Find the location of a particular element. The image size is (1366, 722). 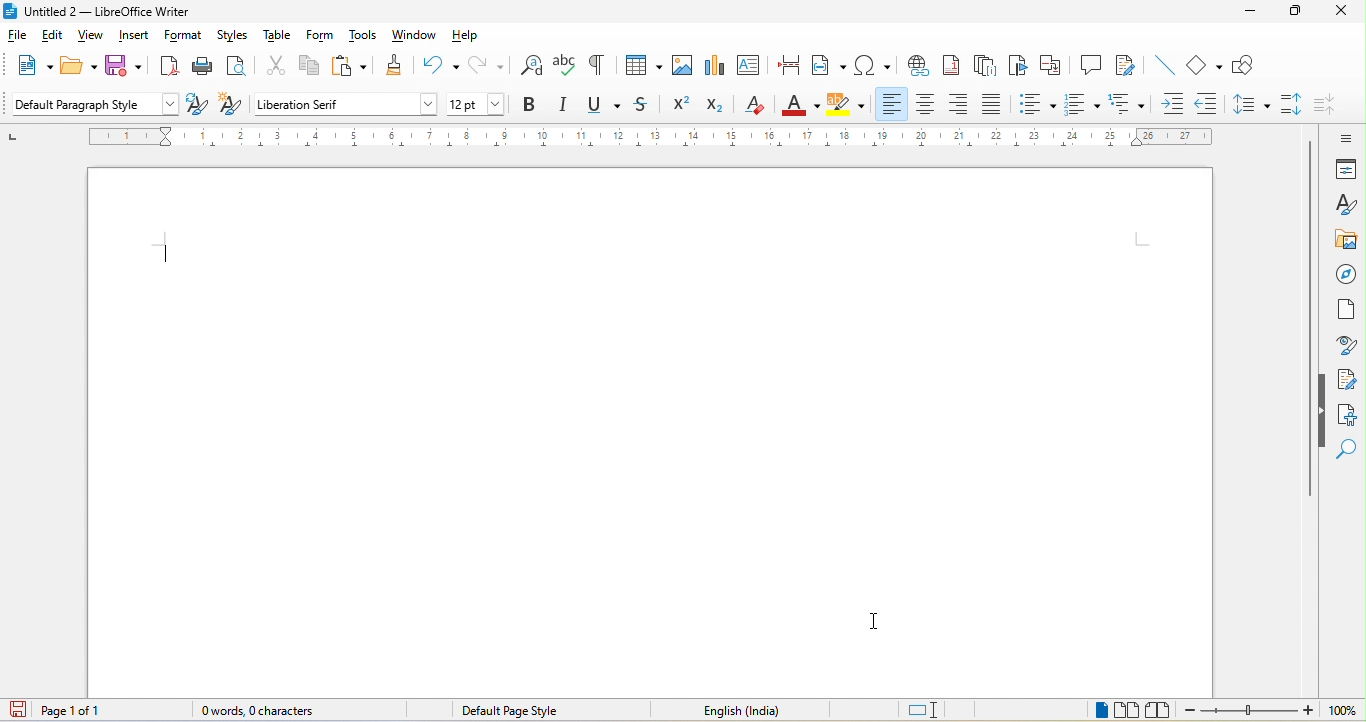

navigator is located at coordinates (1346, 275).